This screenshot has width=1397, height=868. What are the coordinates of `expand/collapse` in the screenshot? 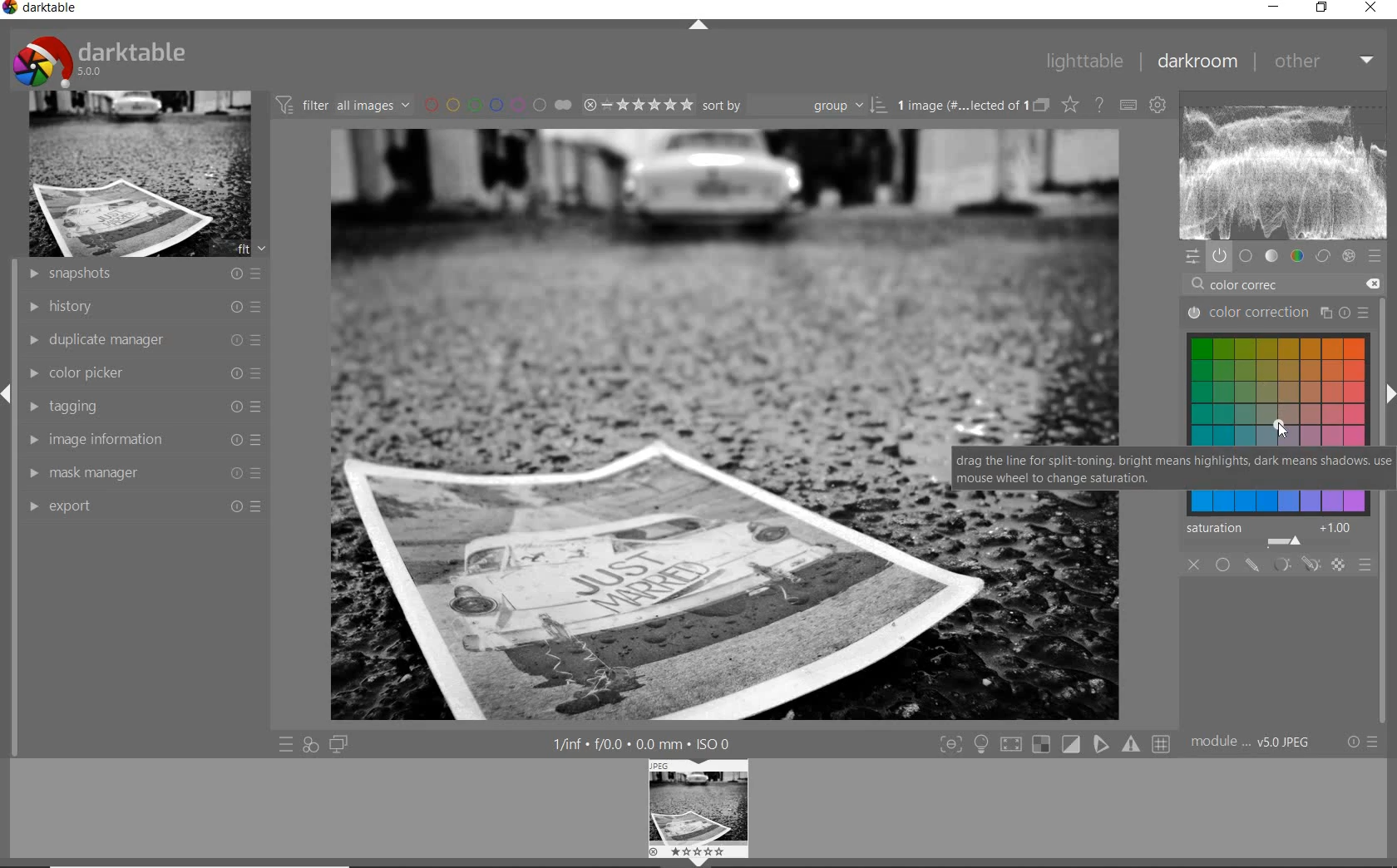 It's located at (1389, 394).